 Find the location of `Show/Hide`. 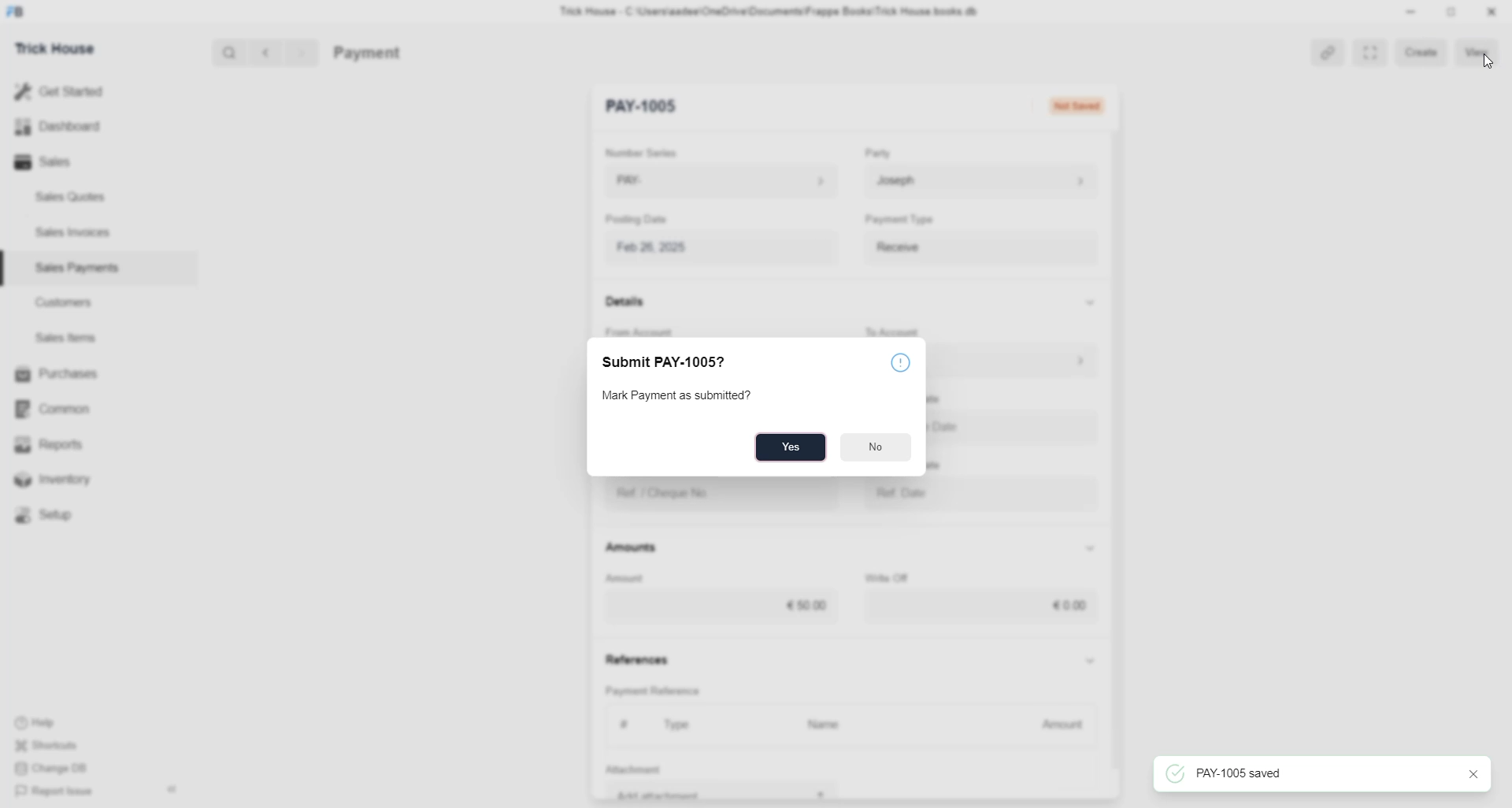

Show/Hide is located at coordinates (1091, 662).